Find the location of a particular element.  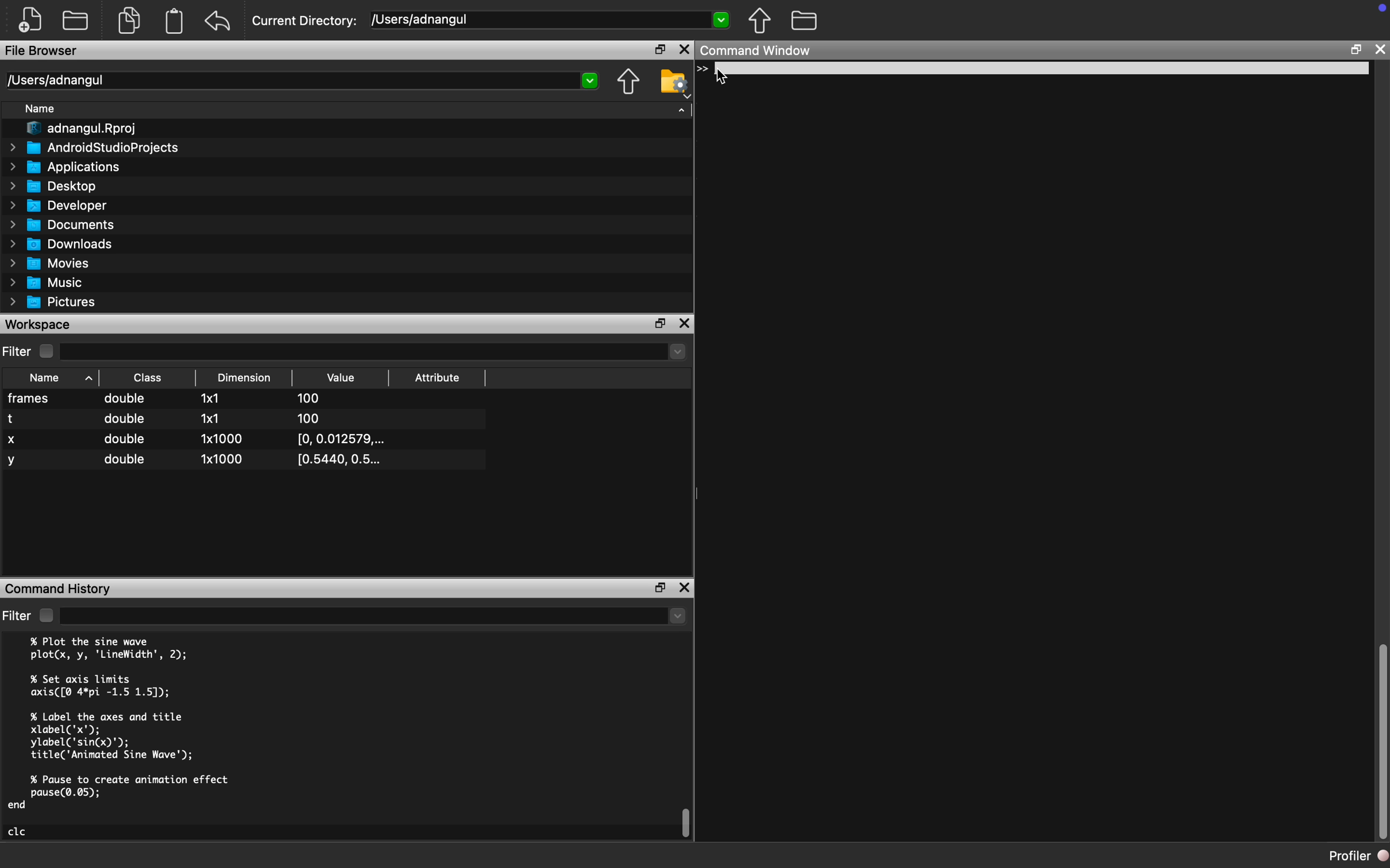

1x1 is located at coordinates (210, 398).